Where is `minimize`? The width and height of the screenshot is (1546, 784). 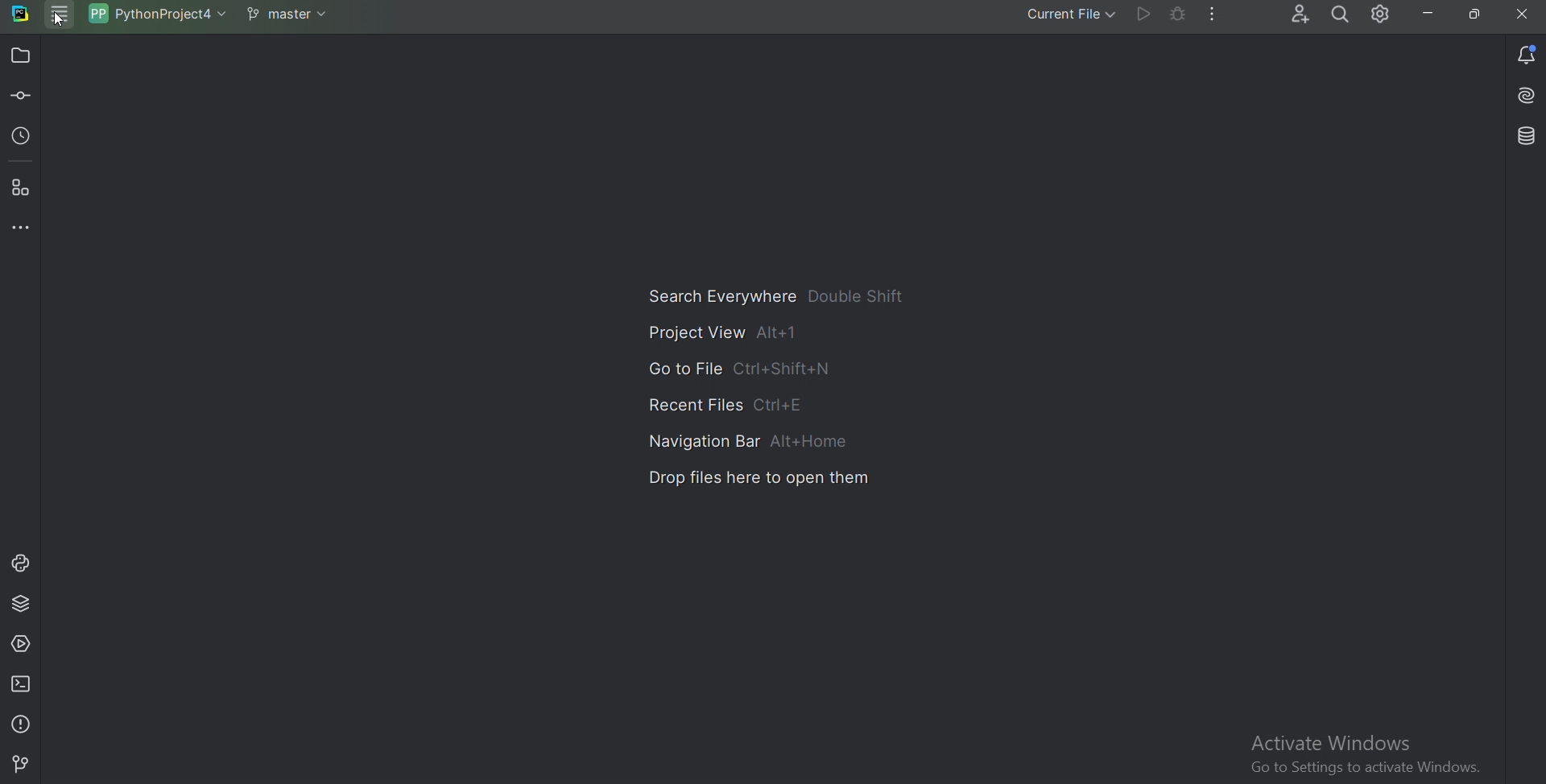
minimize is located at coordinates (1429, 14).